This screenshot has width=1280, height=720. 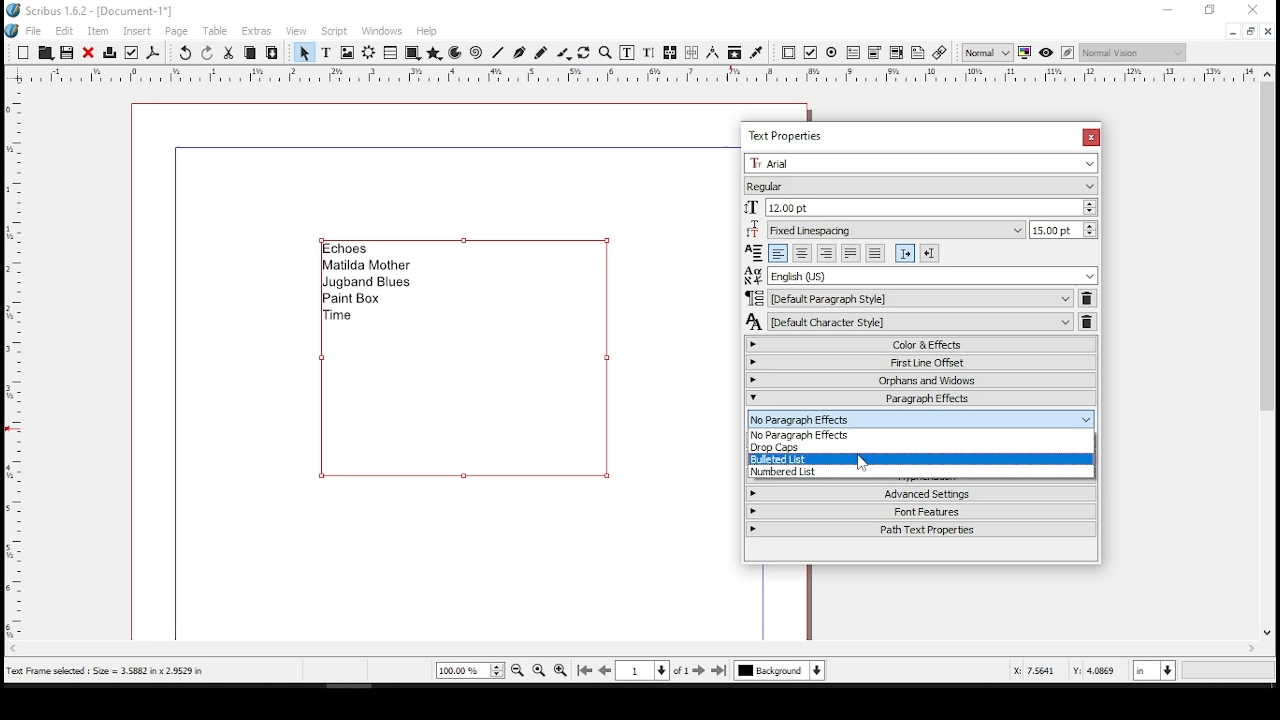 What do you see at coordinates (564, 53) in the screenshot?
I see `calligraphy lines` at bounding box center [564, 53].